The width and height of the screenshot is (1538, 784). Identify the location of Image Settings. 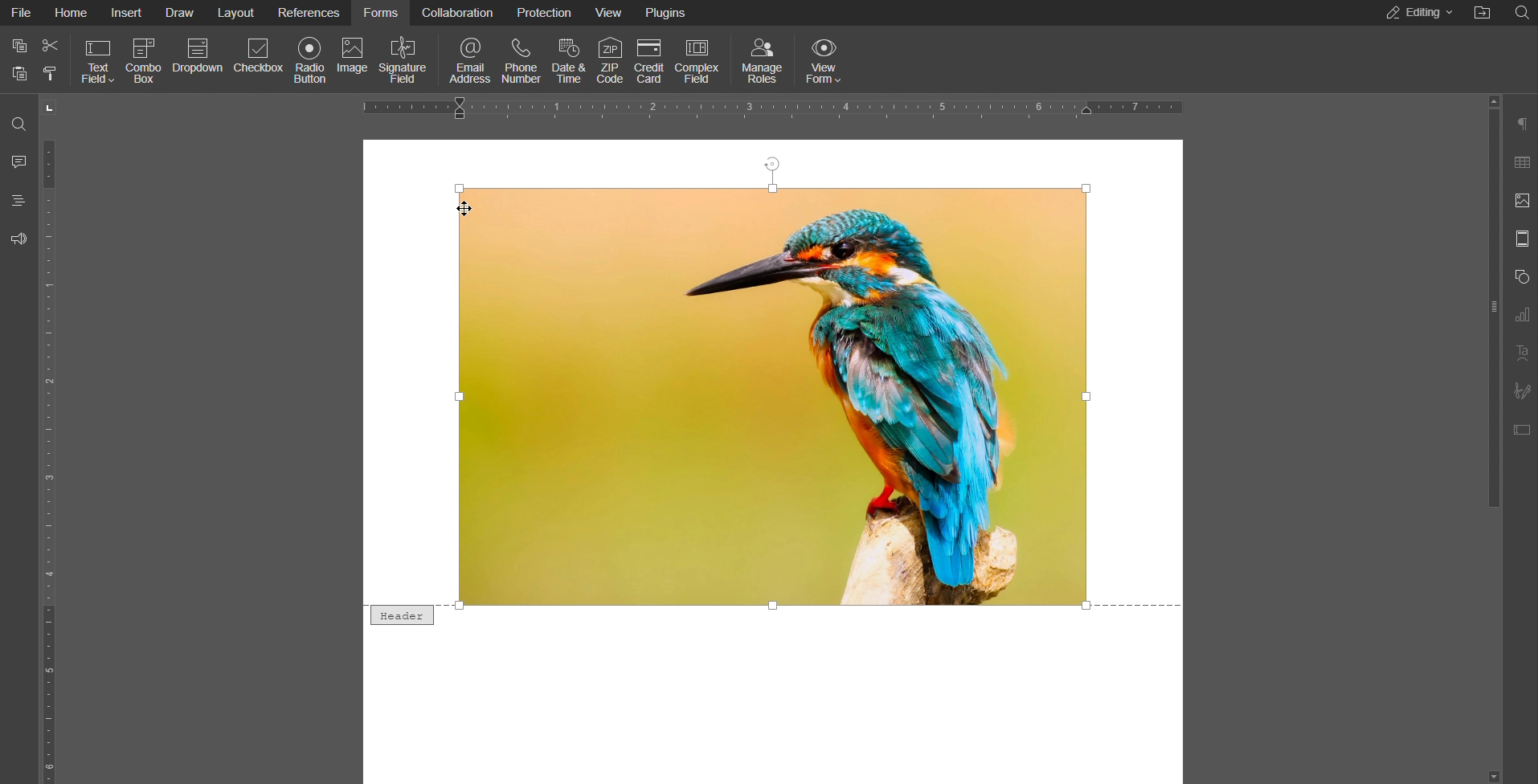
(1520, 201).